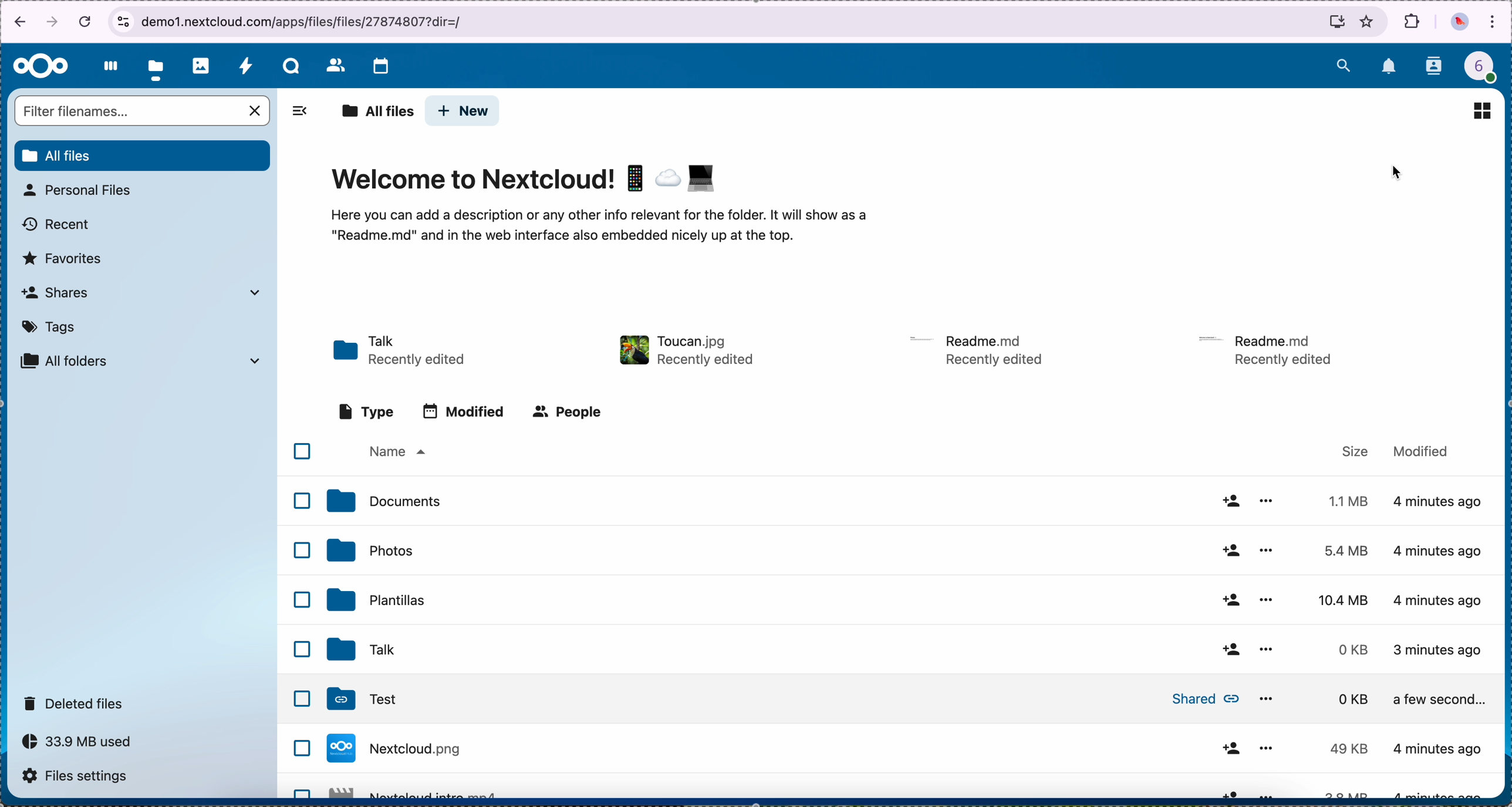  What do you see at coordinates (1229, 501) in the screenshot?
I see `share` at bounding box center [1229, 501].